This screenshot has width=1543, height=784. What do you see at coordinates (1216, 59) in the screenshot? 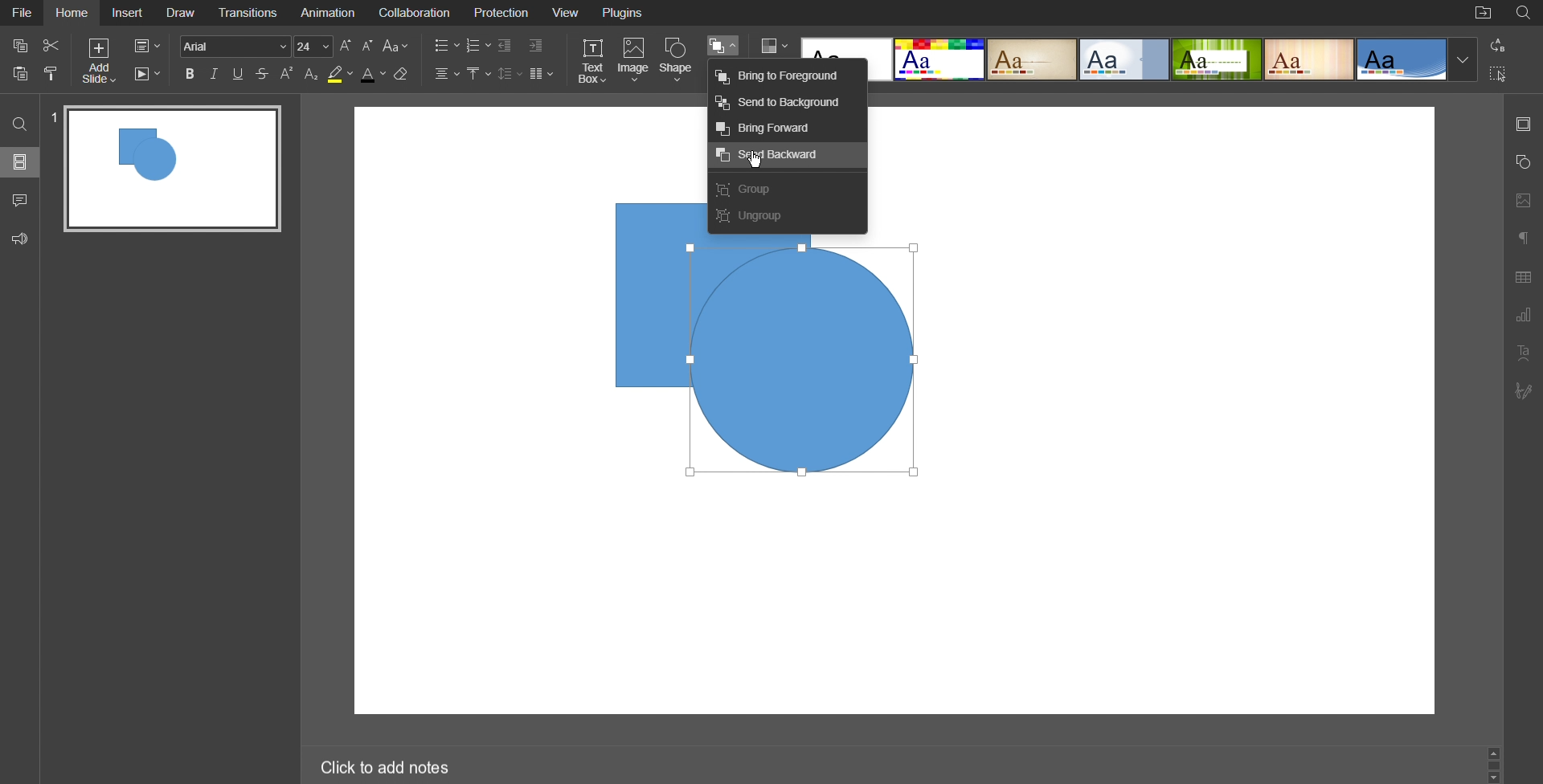
I see `Green Leaf` at bounding box center [1216, 59].